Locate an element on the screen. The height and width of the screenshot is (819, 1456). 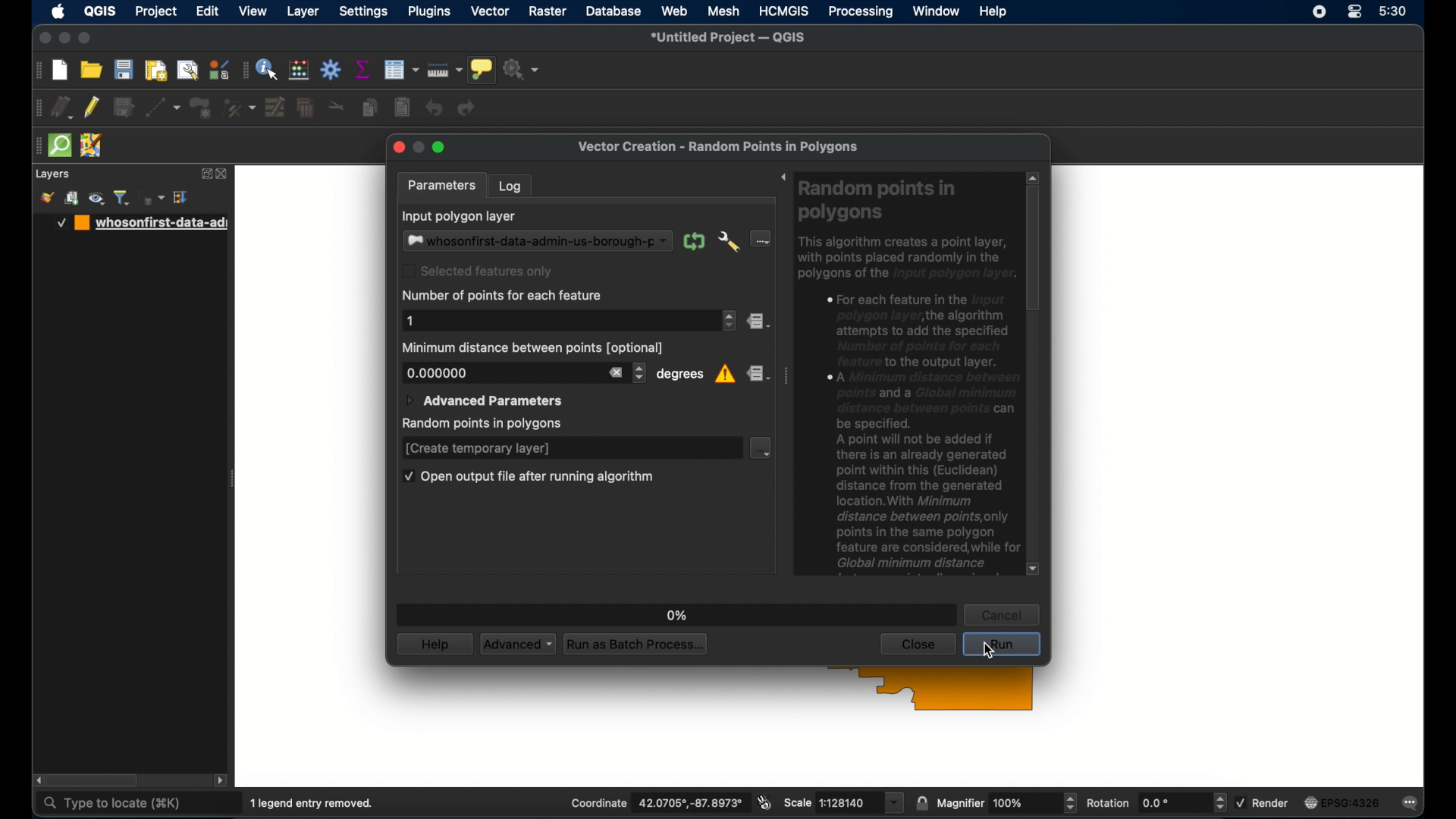
random points in polygons tool info is located at coordinates (908, 379).